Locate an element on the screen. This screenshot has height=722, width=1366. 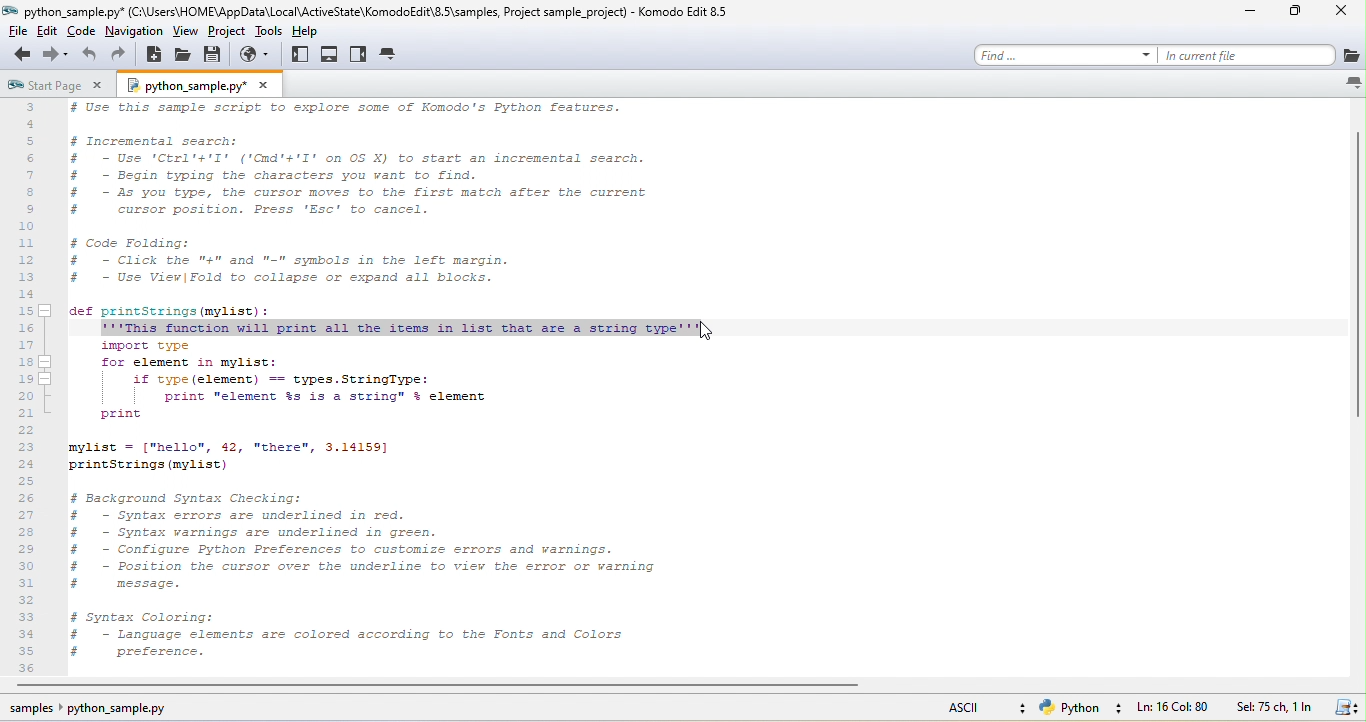
bottom pane is located at coordinates (331, 56).